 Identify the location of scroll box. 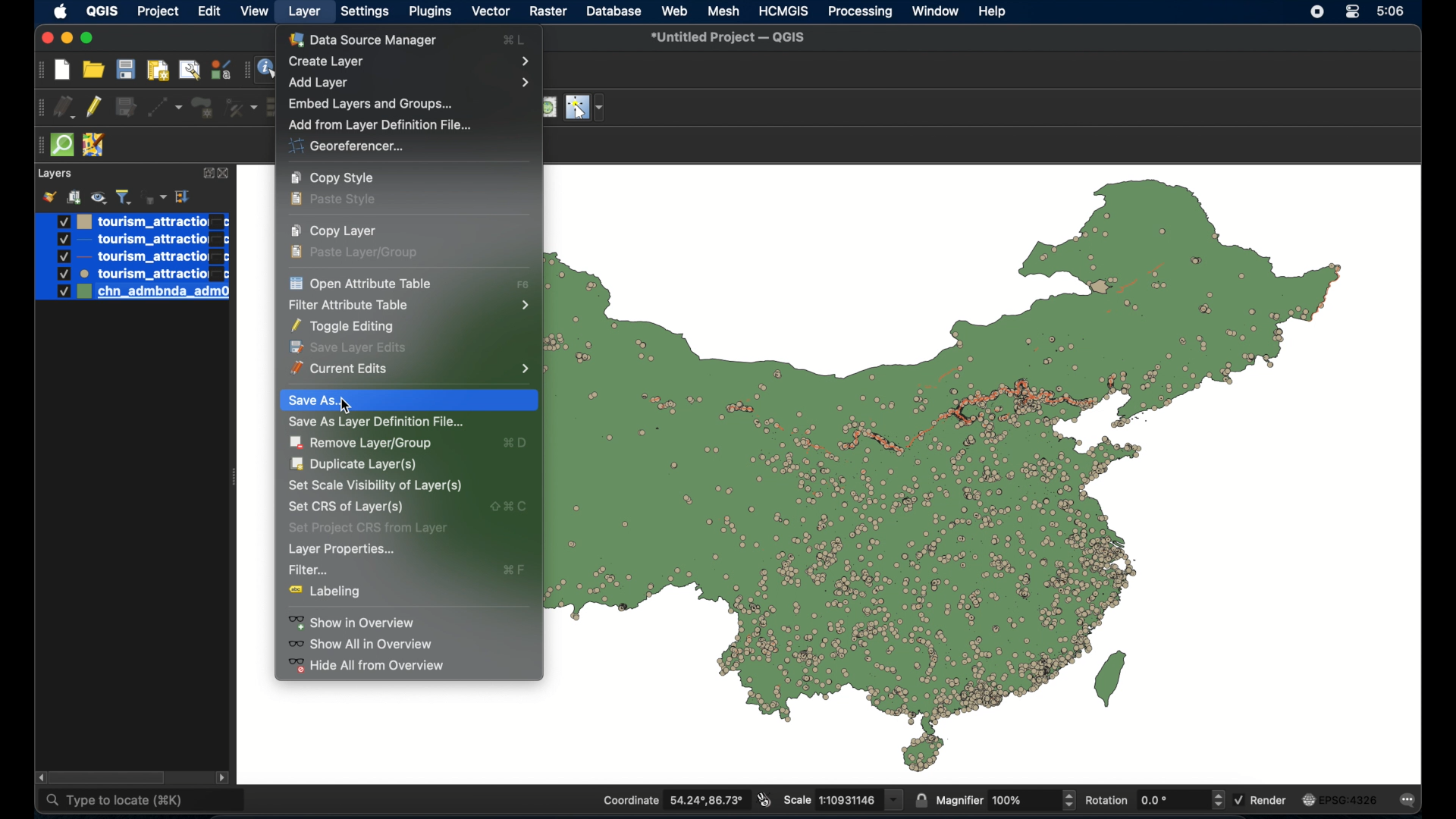
(109, 777).